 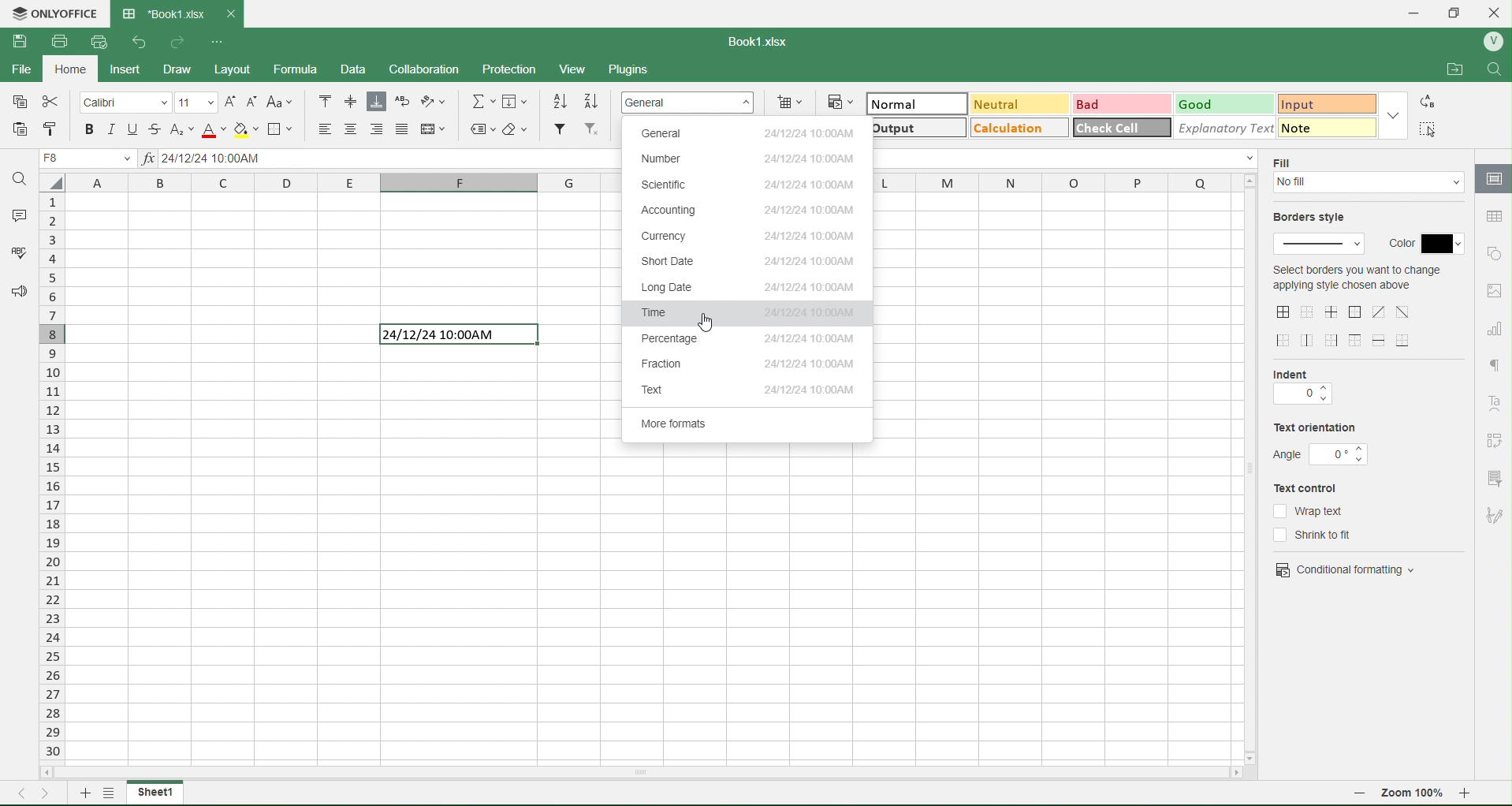 What do you see at coordinates (319, 129) in the screenshot?
I see `Align Left` at bounding box center [319, 129].